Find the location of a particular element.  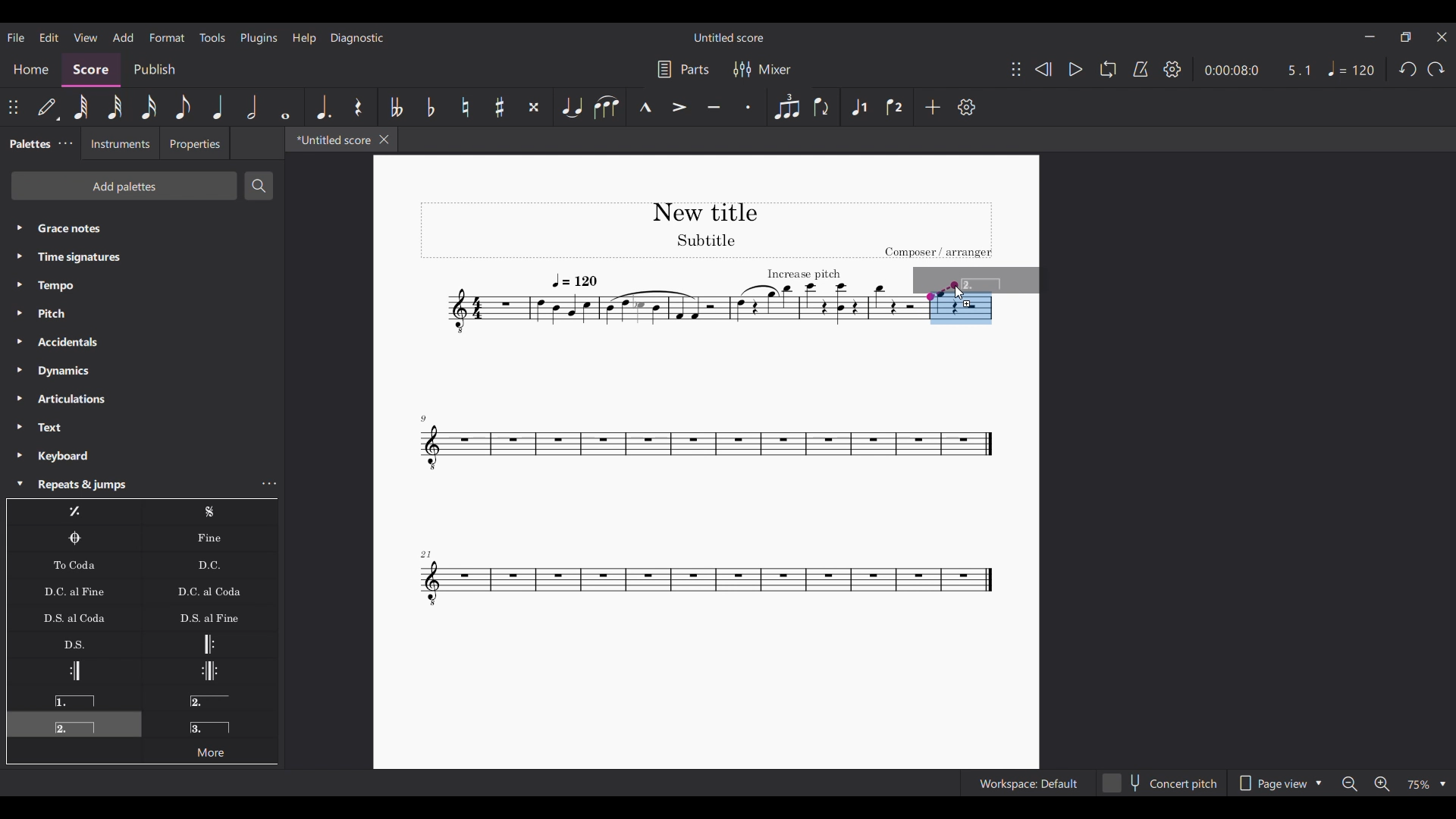

Time signatures is located at coordinates (142, 258).